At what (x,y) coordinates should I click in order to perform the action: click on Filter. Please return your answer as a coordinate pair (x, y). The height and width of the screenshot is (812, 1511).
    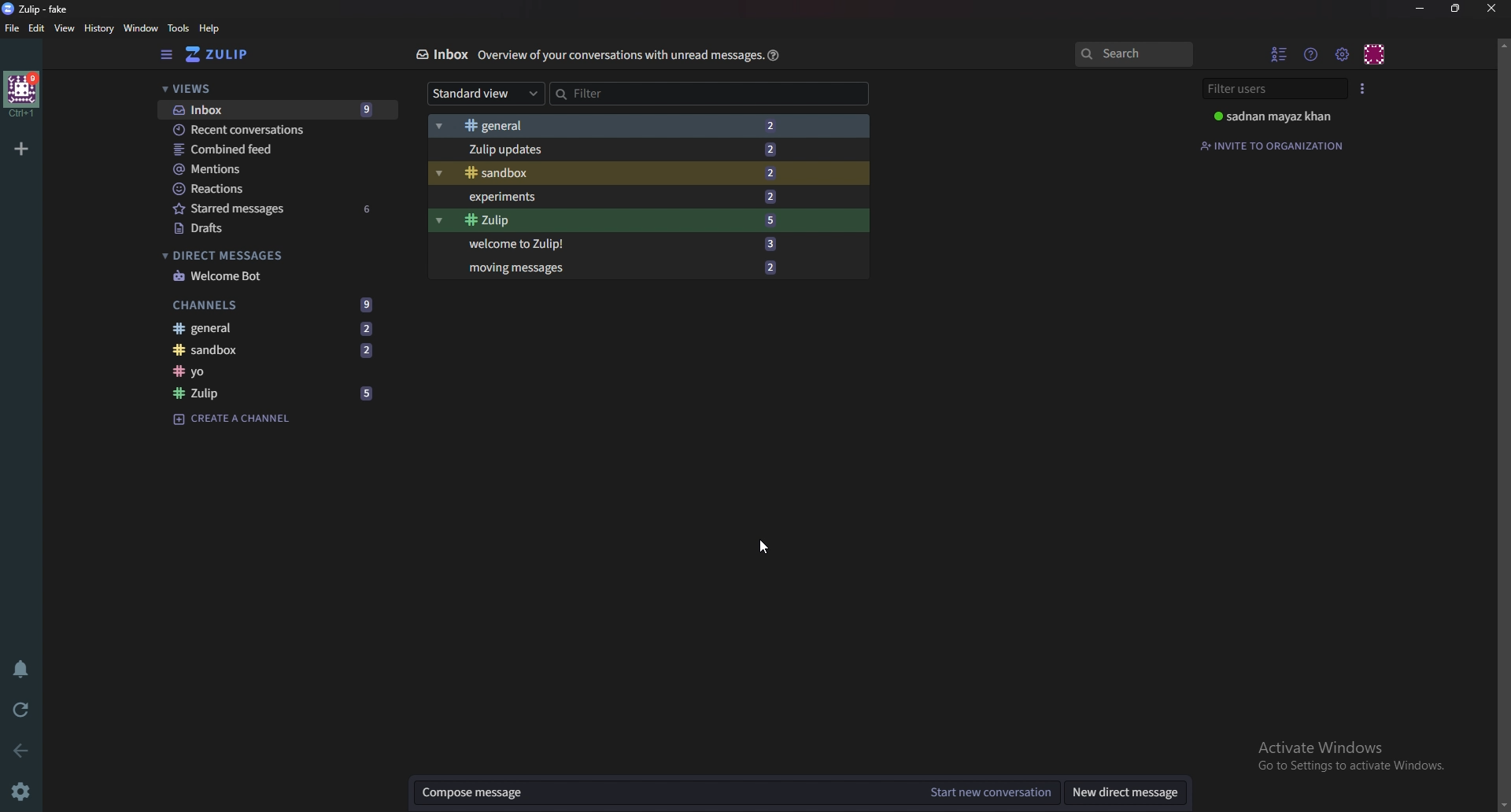
    Looking at the image, I should click on (709, 93).